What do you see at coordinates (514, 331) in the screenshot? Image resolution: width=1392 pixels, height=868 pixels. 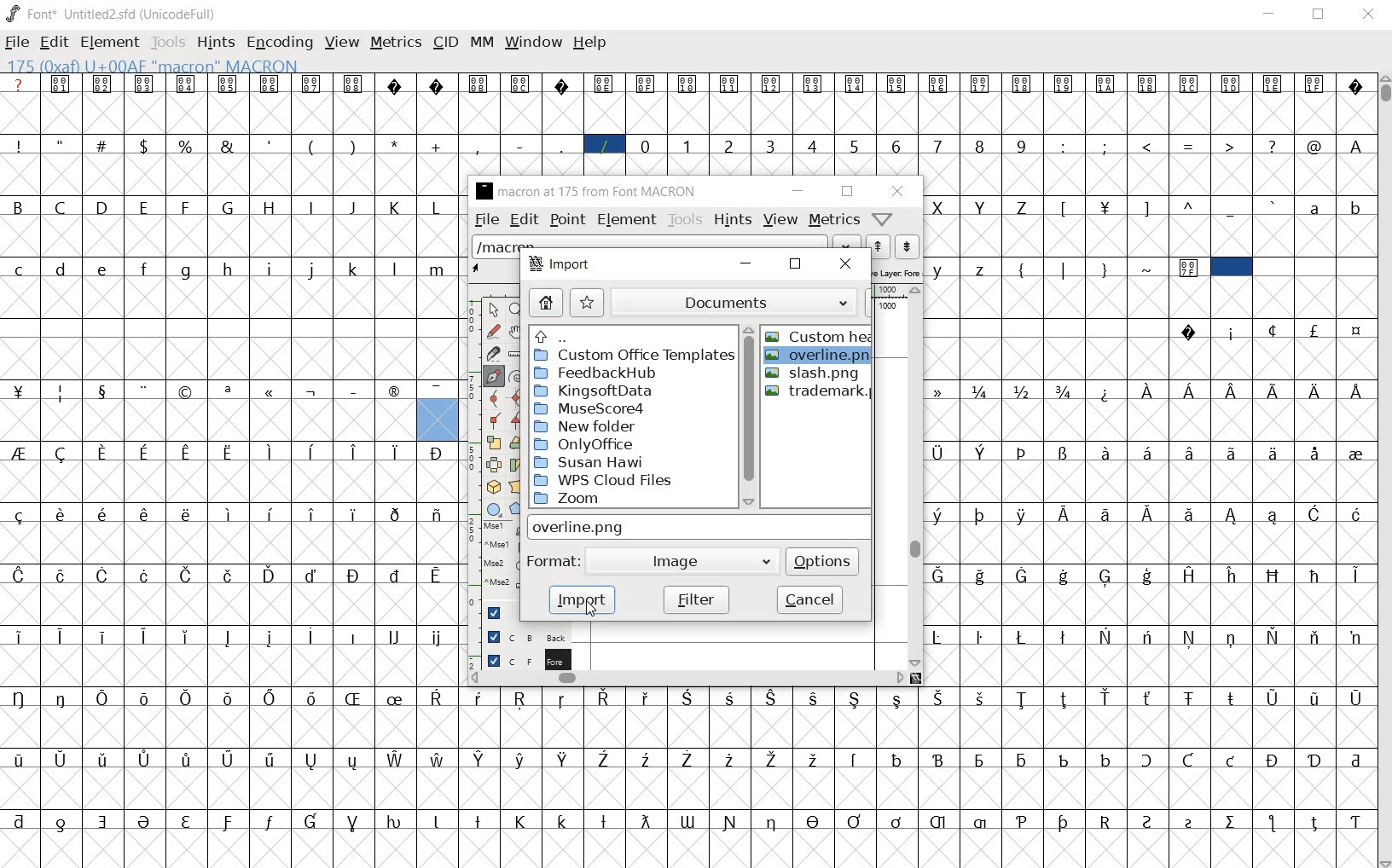 I see `pan` at bounding box center [514, 331].